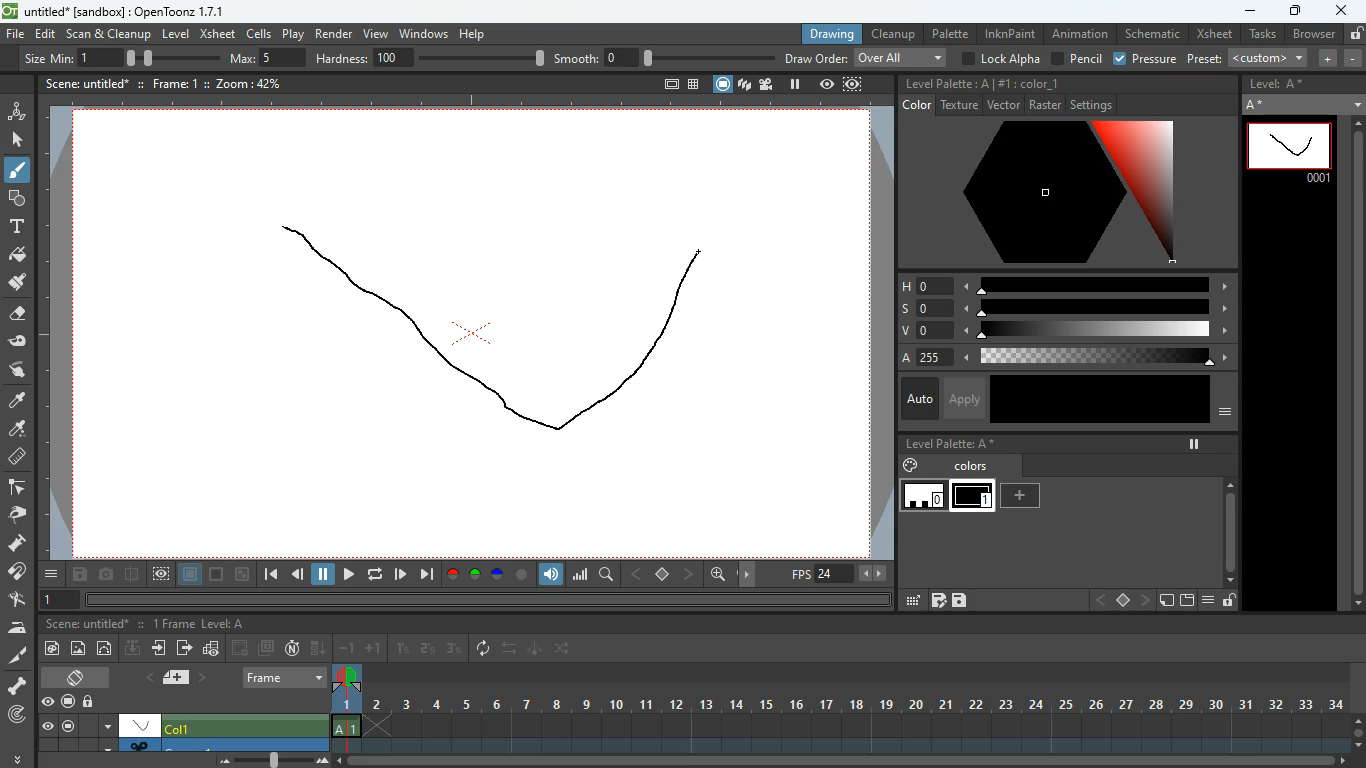 The height and width of the screenshot is (768, 1366). Describe the element at coordinates (270, 576) in the screenshot. I see `begin` at that location.